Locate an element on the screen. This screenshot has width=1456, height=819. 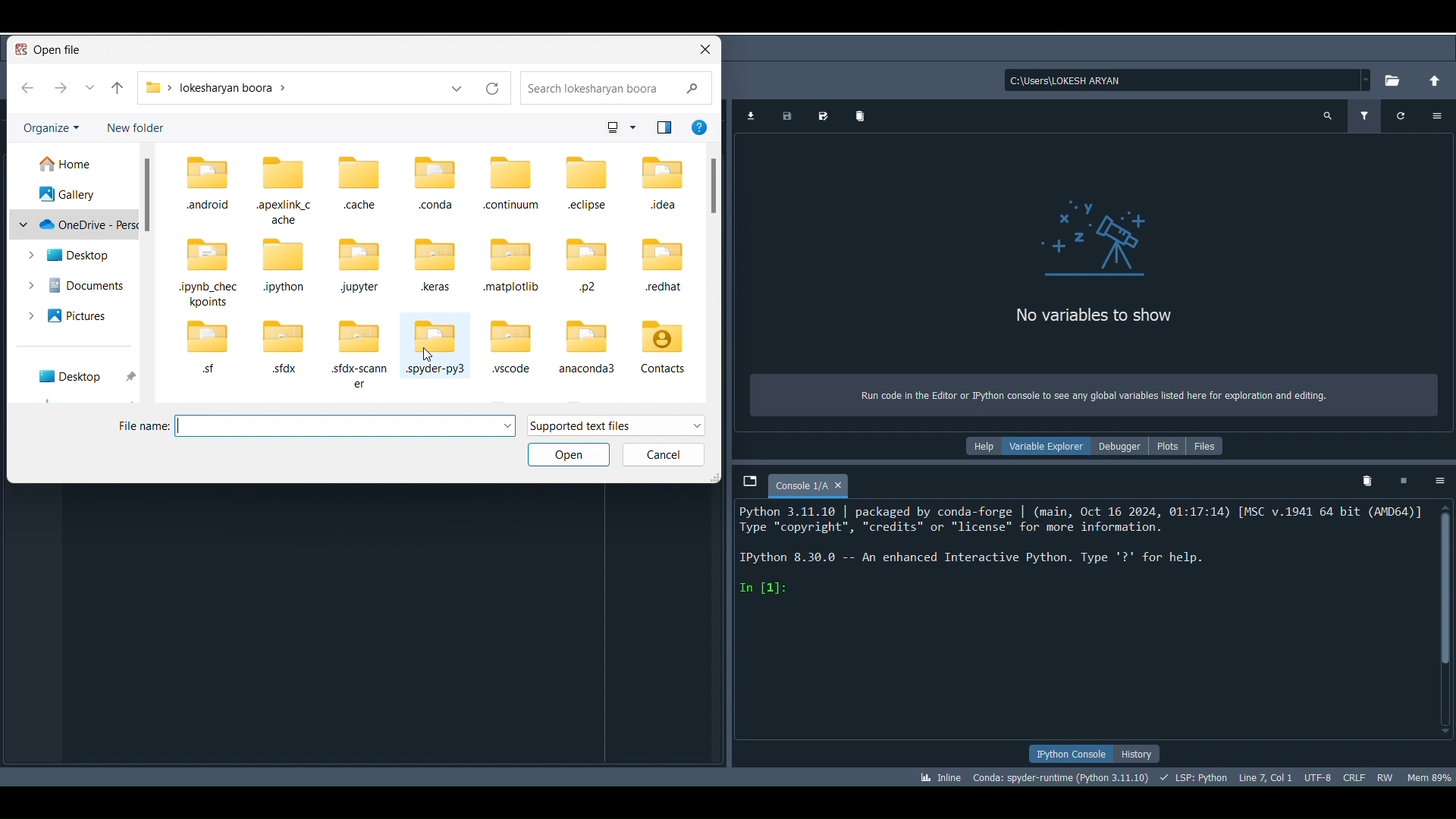
Console editor is located at coordinates (1081, 622).